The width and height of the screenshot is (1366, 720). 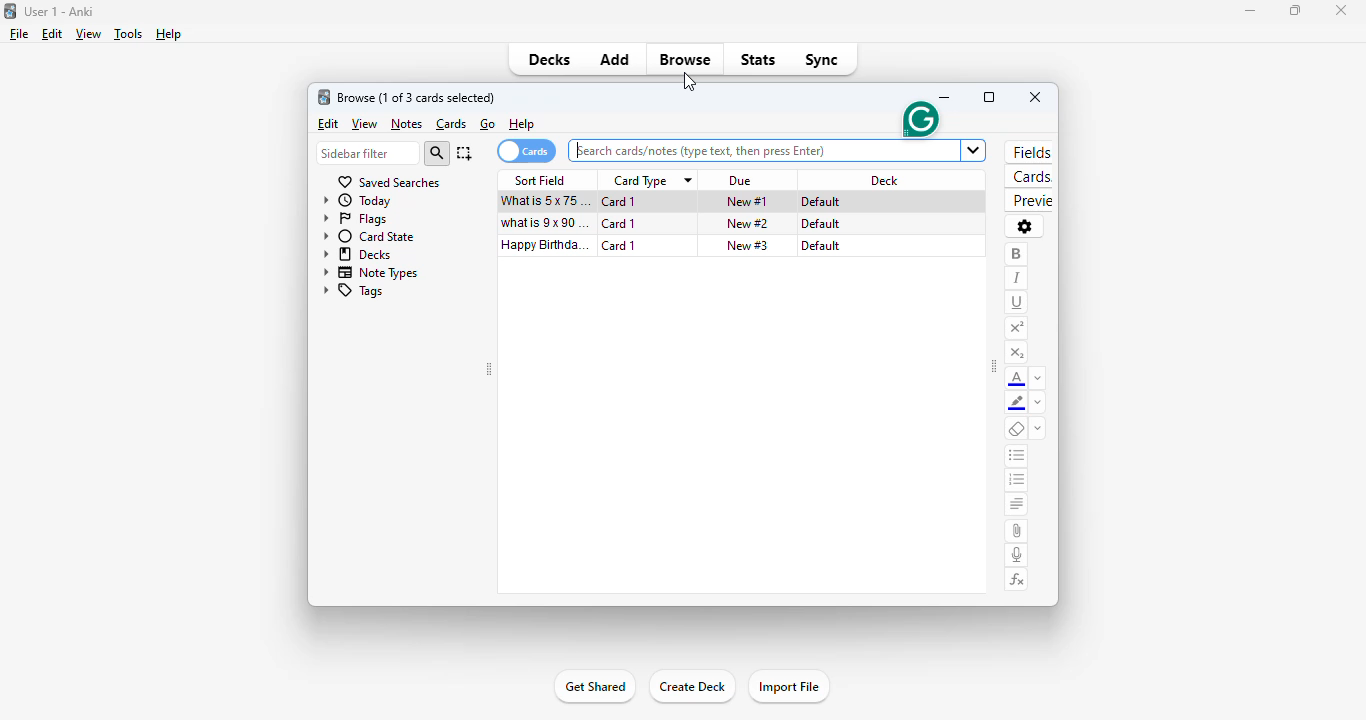 What do you see at coordinates (1018, 255) in the screenshot?
I see `bold` at bounding box center [1018, 255].